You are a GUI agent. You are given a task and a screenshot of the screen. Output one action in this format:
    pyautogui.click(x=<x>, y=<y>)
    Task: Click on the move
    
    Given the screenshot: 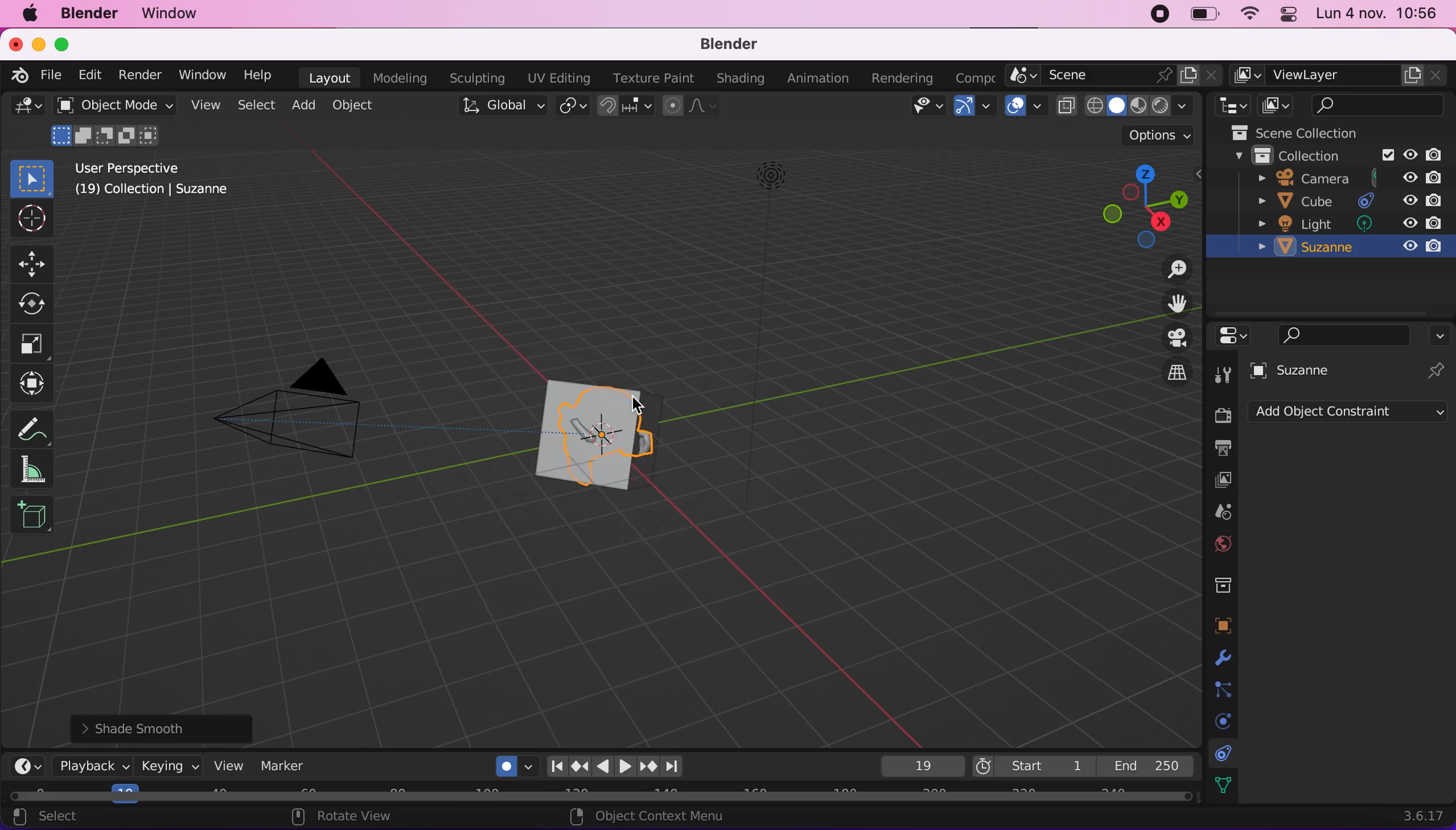 What is the action you would take?
    pyautogui.click(x=32, y=262)
    